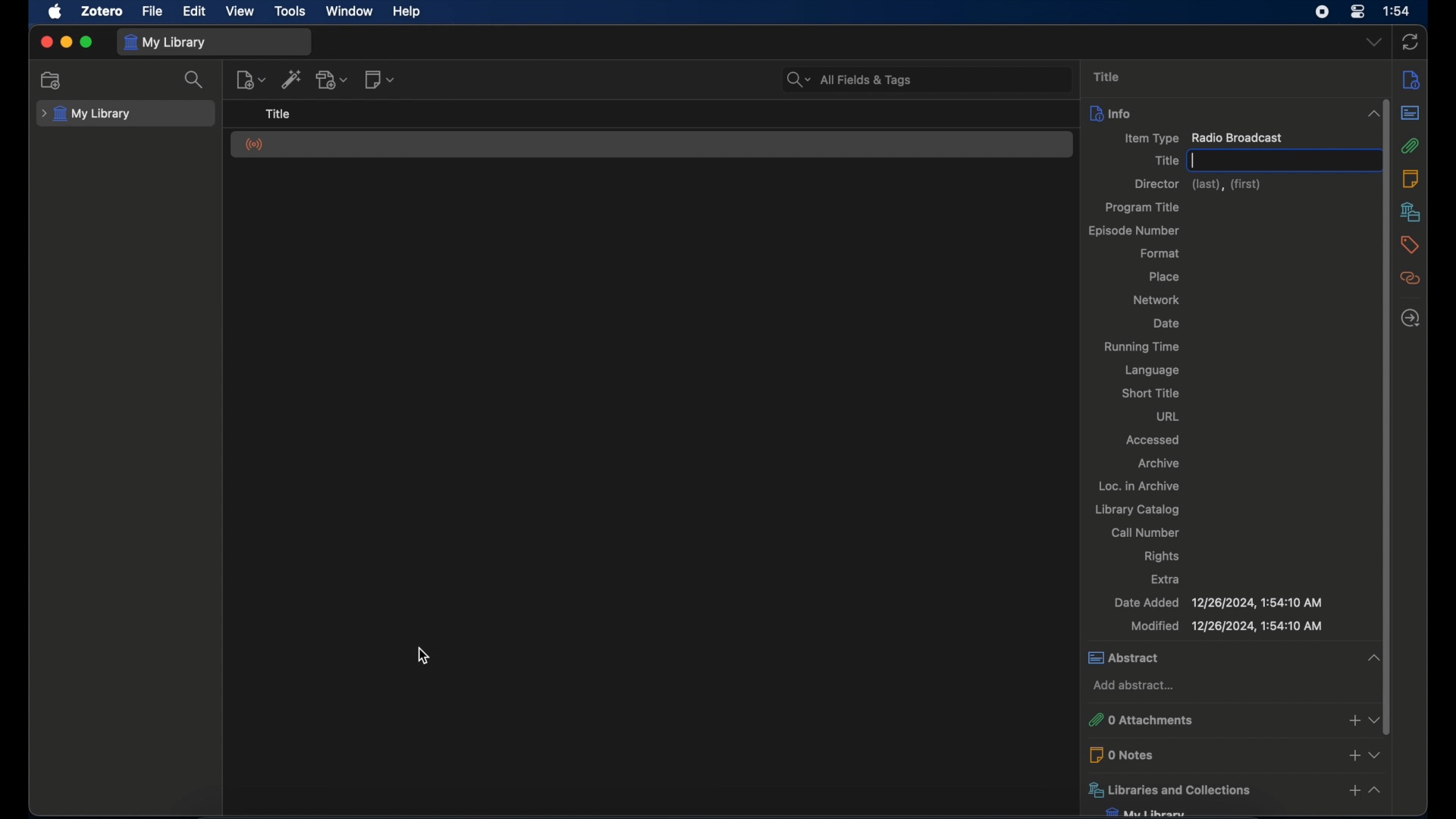  I want to click on libraries, so click(1410, 212).